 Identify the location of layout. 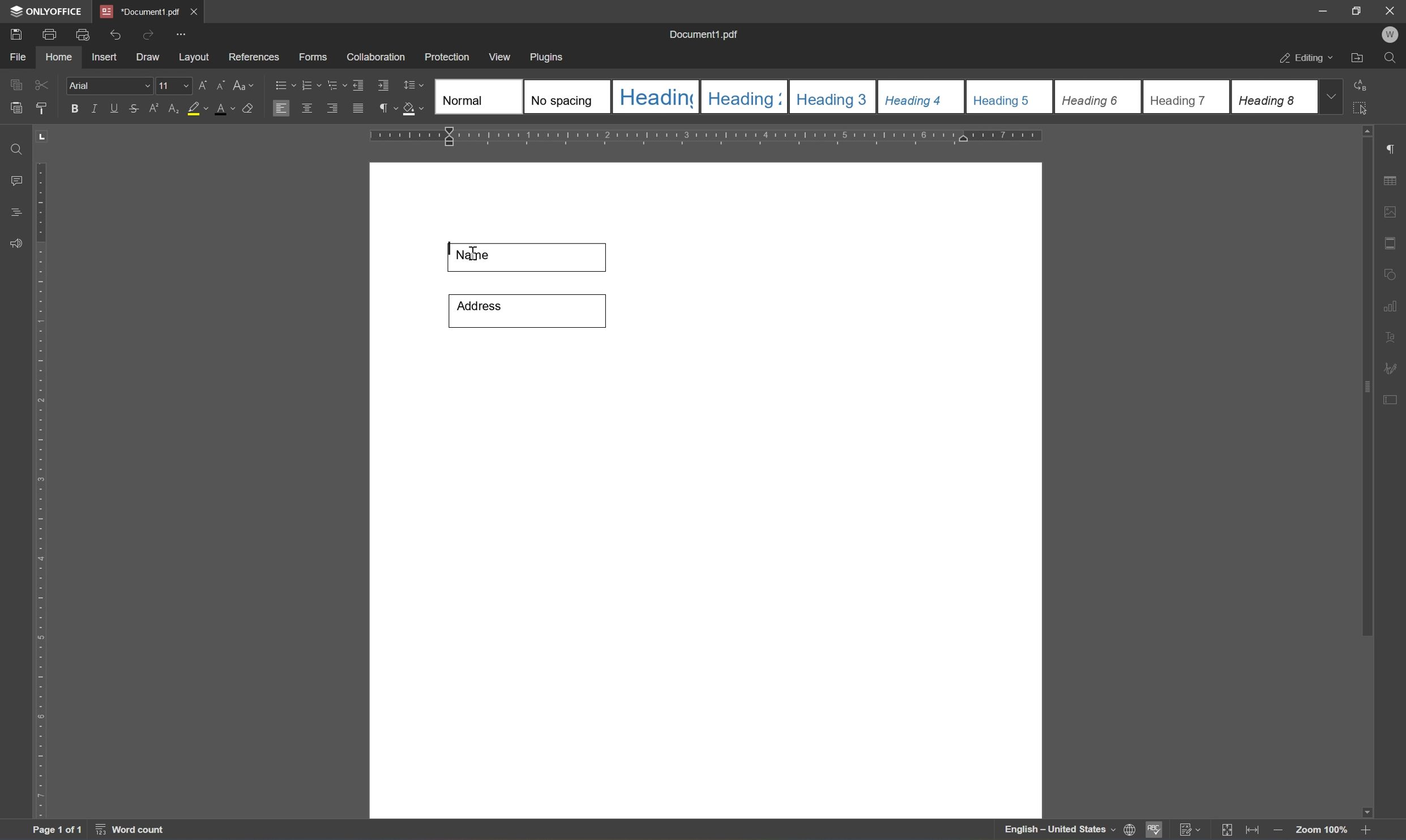
(193, 59).